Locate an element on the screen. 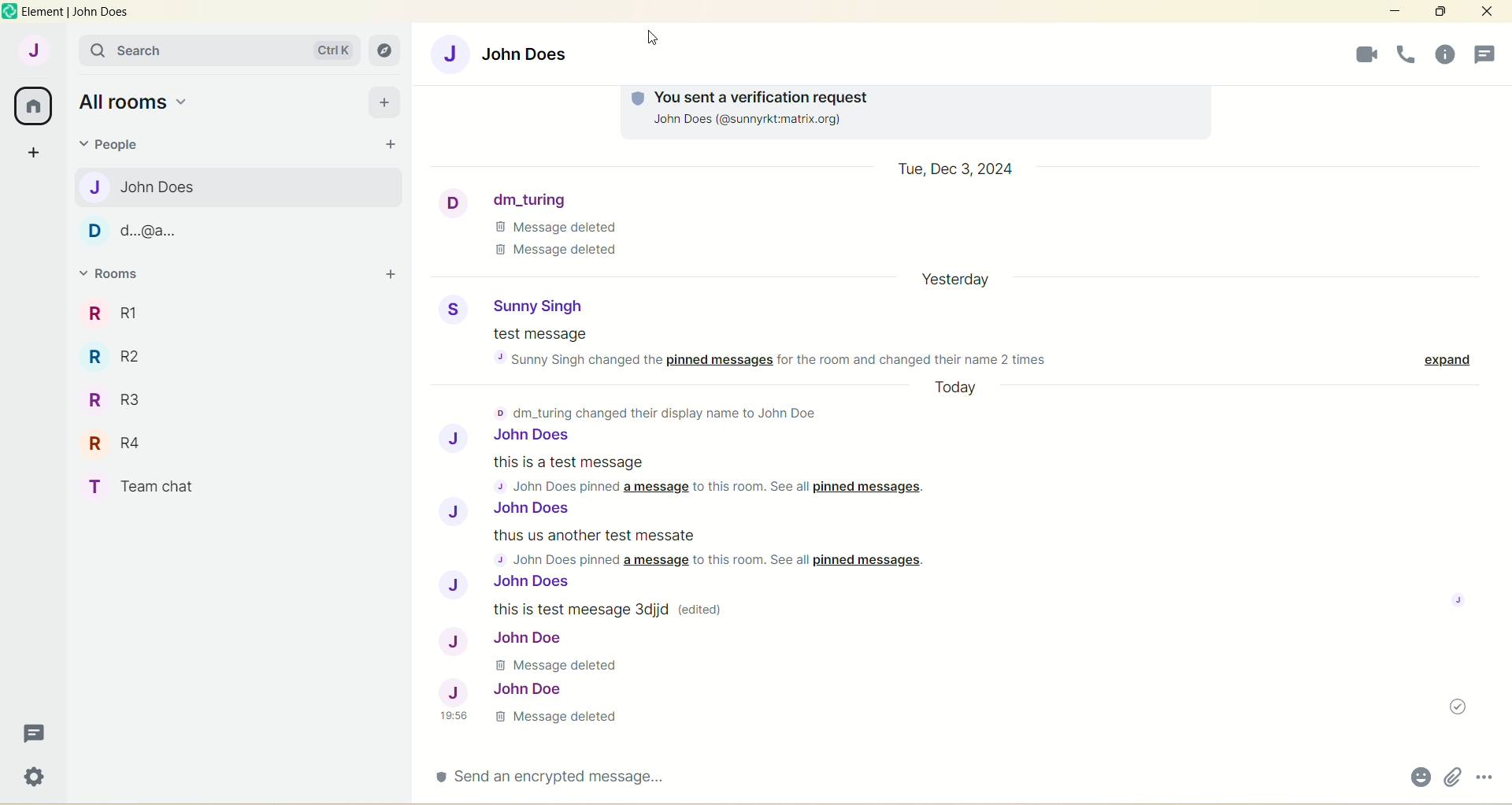  date is located at coordinates (957, 169).